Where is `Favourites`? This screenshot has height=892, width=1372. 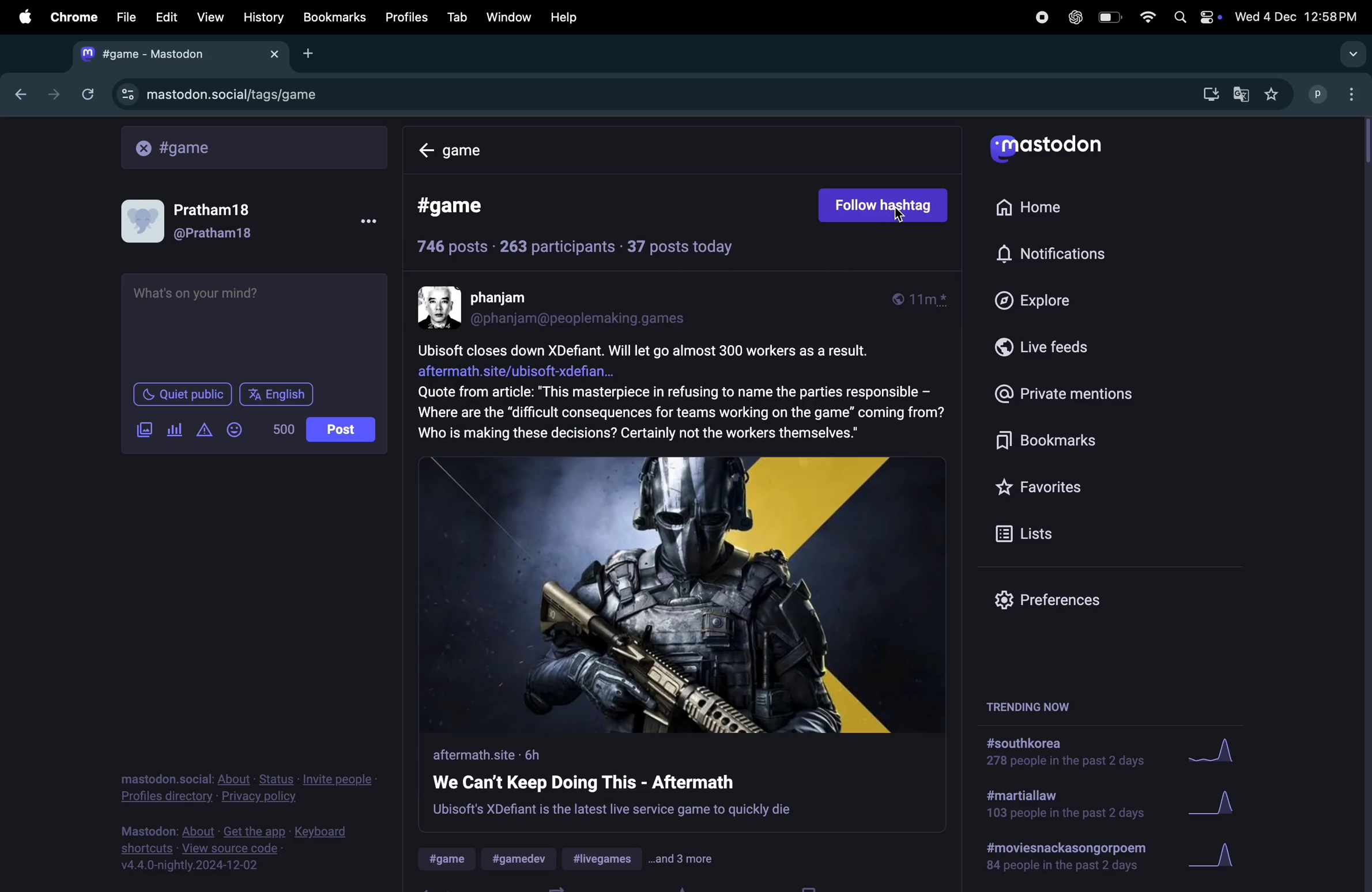 Favourites is located at coordinates (1048, 487).